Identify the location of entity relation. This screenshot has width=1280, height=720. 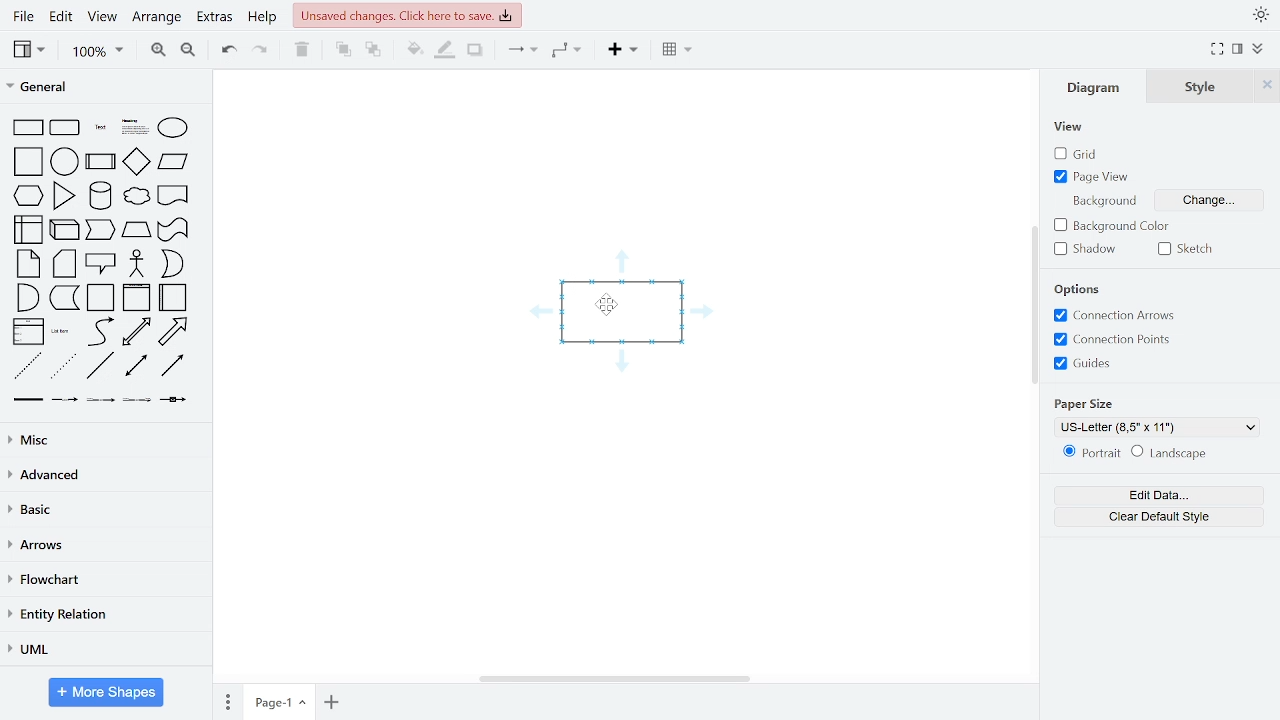
(106, 615).